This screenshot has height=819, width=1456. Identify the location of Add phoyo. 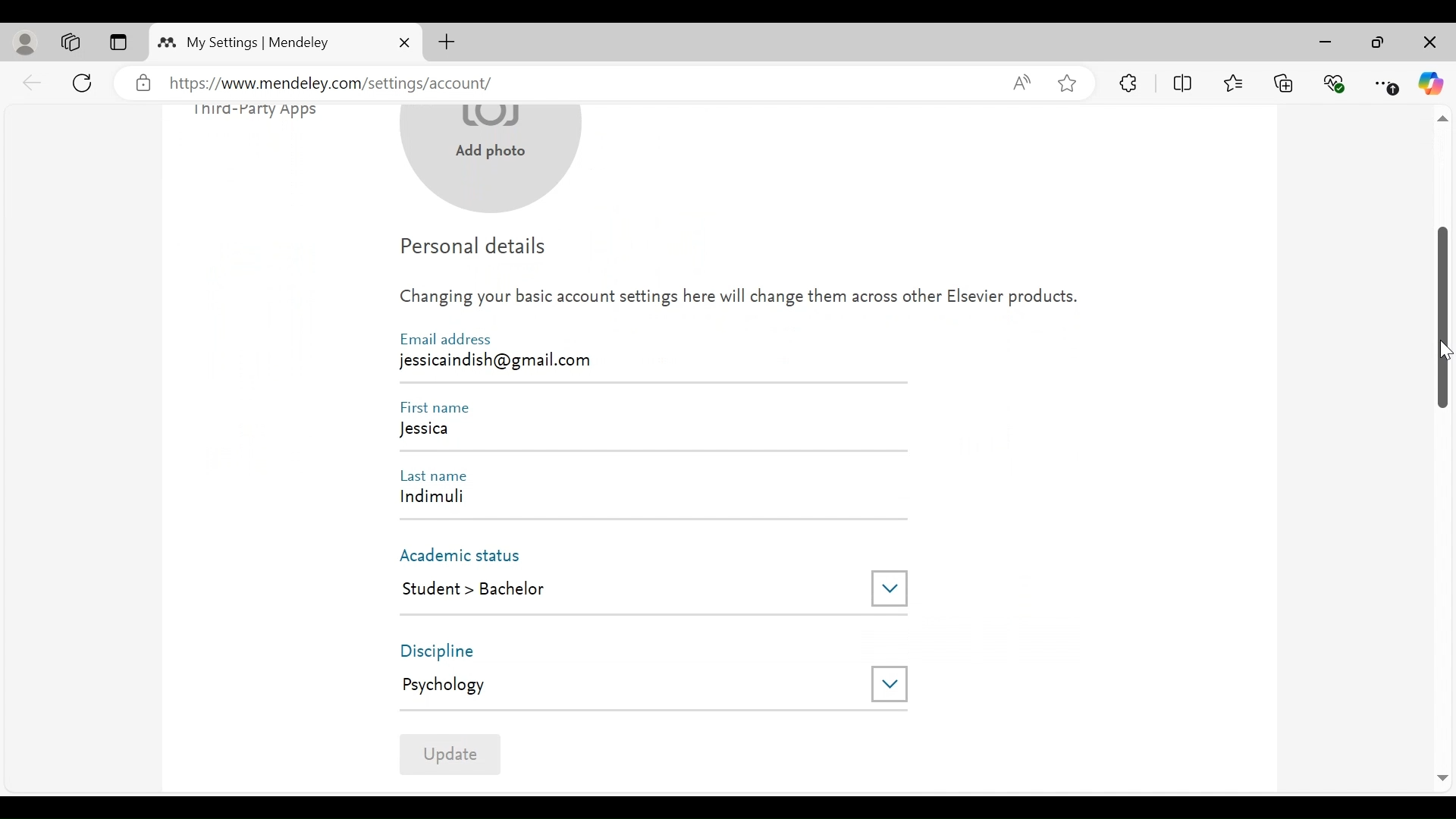
(492, 162).